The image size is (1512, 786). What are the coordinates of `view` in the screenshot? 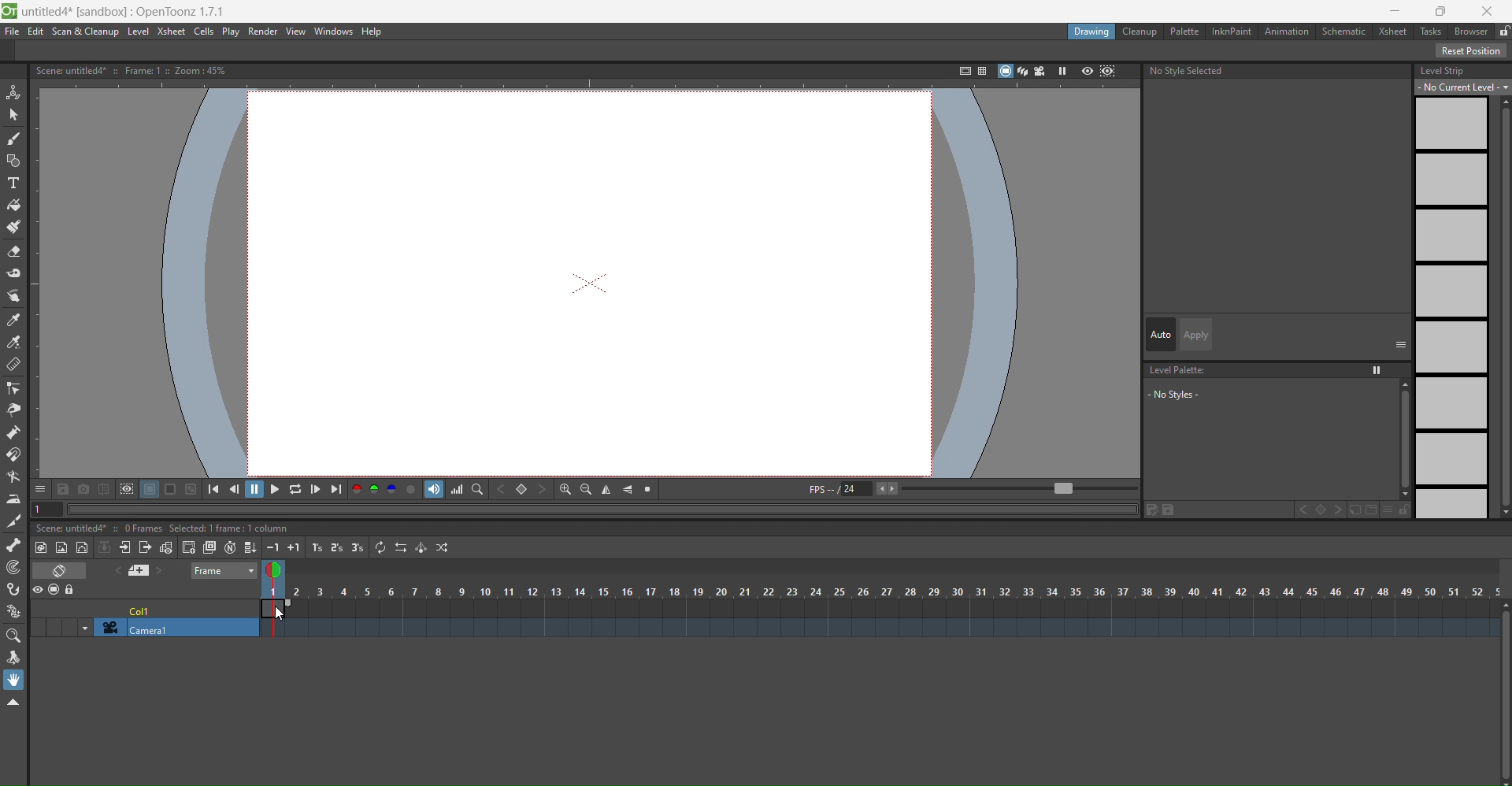 It's located at (296, 32).